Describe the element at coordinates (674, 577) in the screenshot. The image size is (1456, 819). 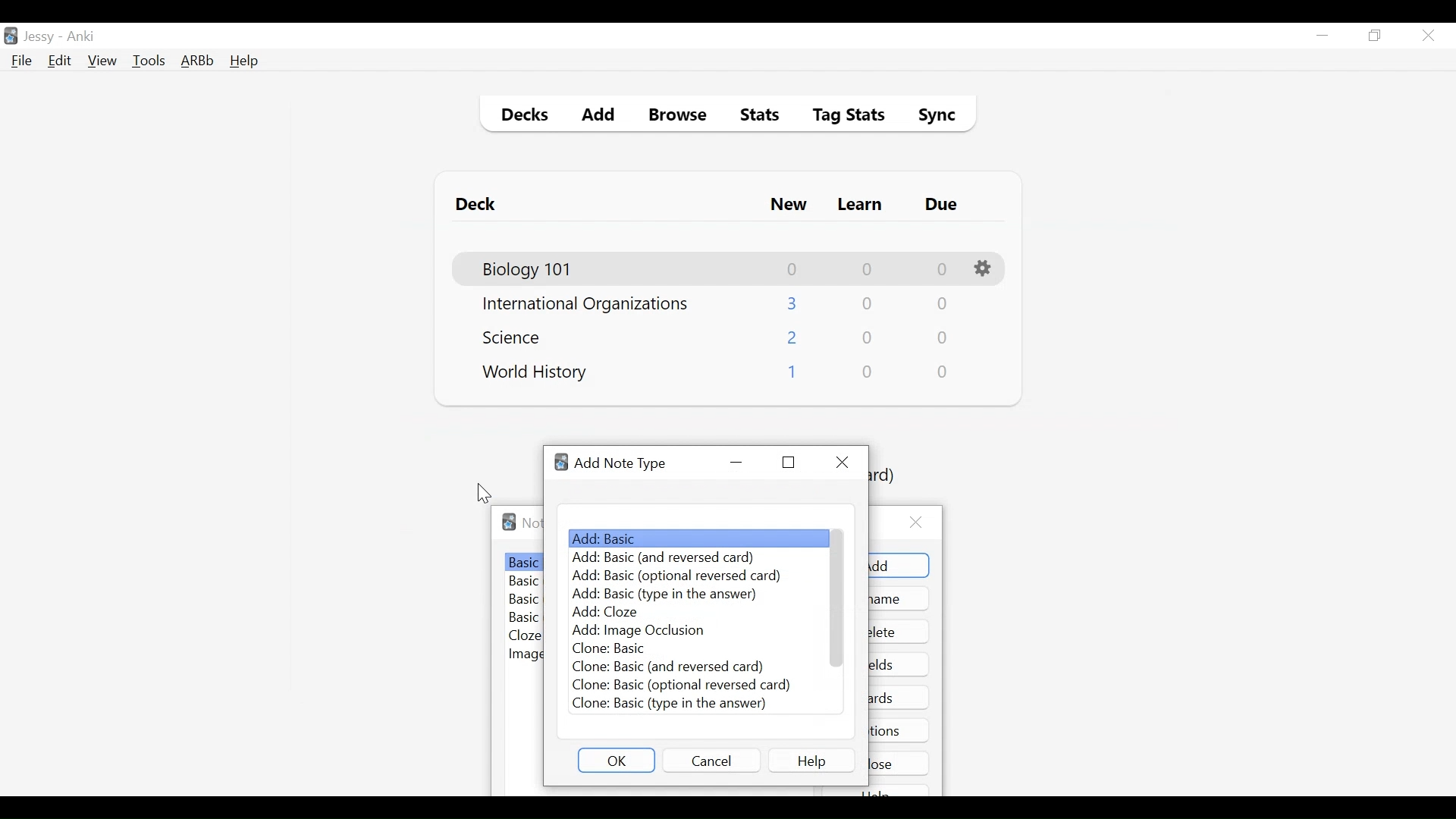
I see `Add: Basic (optional reversed card)` at that location.